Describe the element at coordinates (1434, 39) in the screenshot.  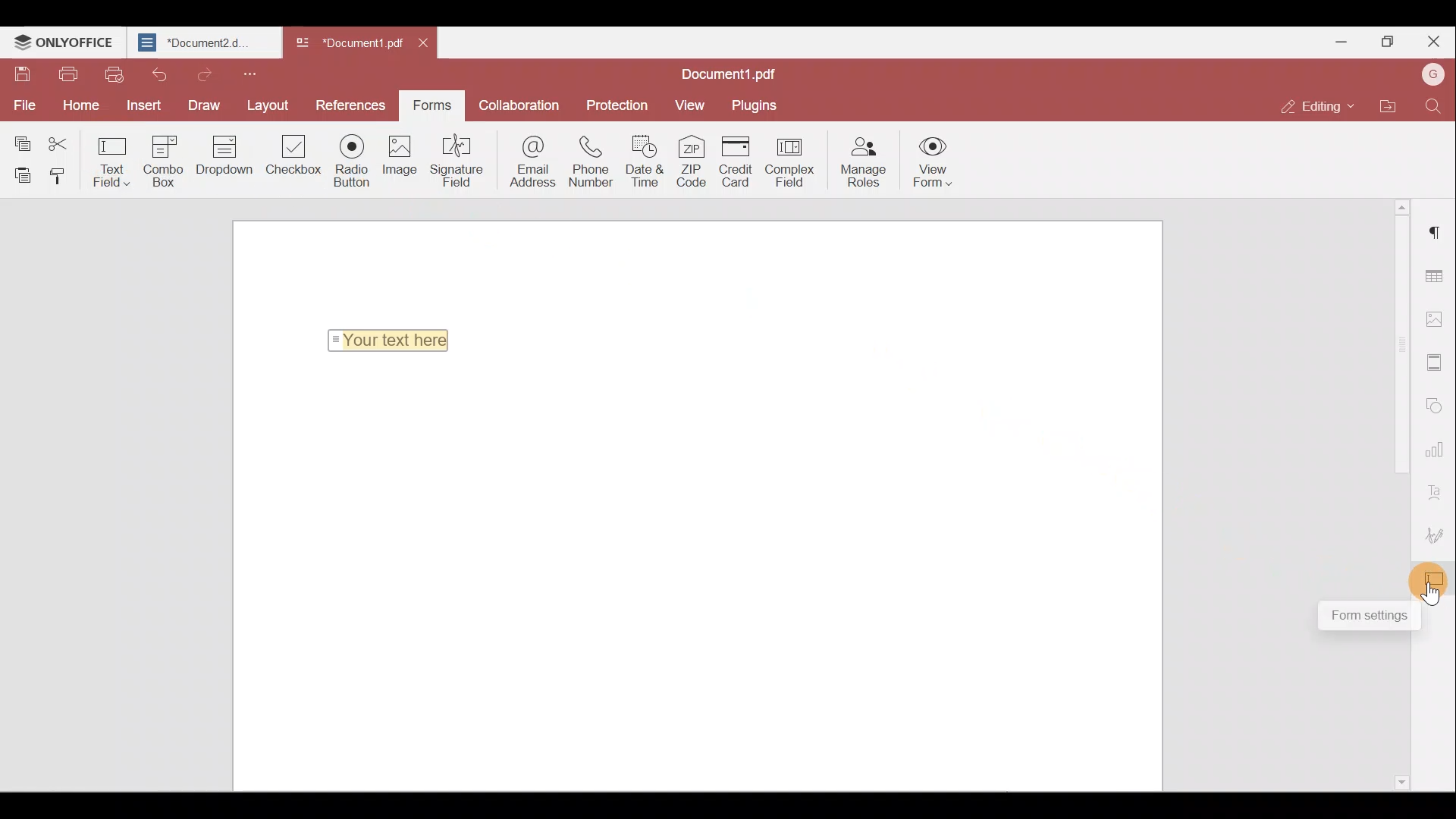
I see `Close` at that location.